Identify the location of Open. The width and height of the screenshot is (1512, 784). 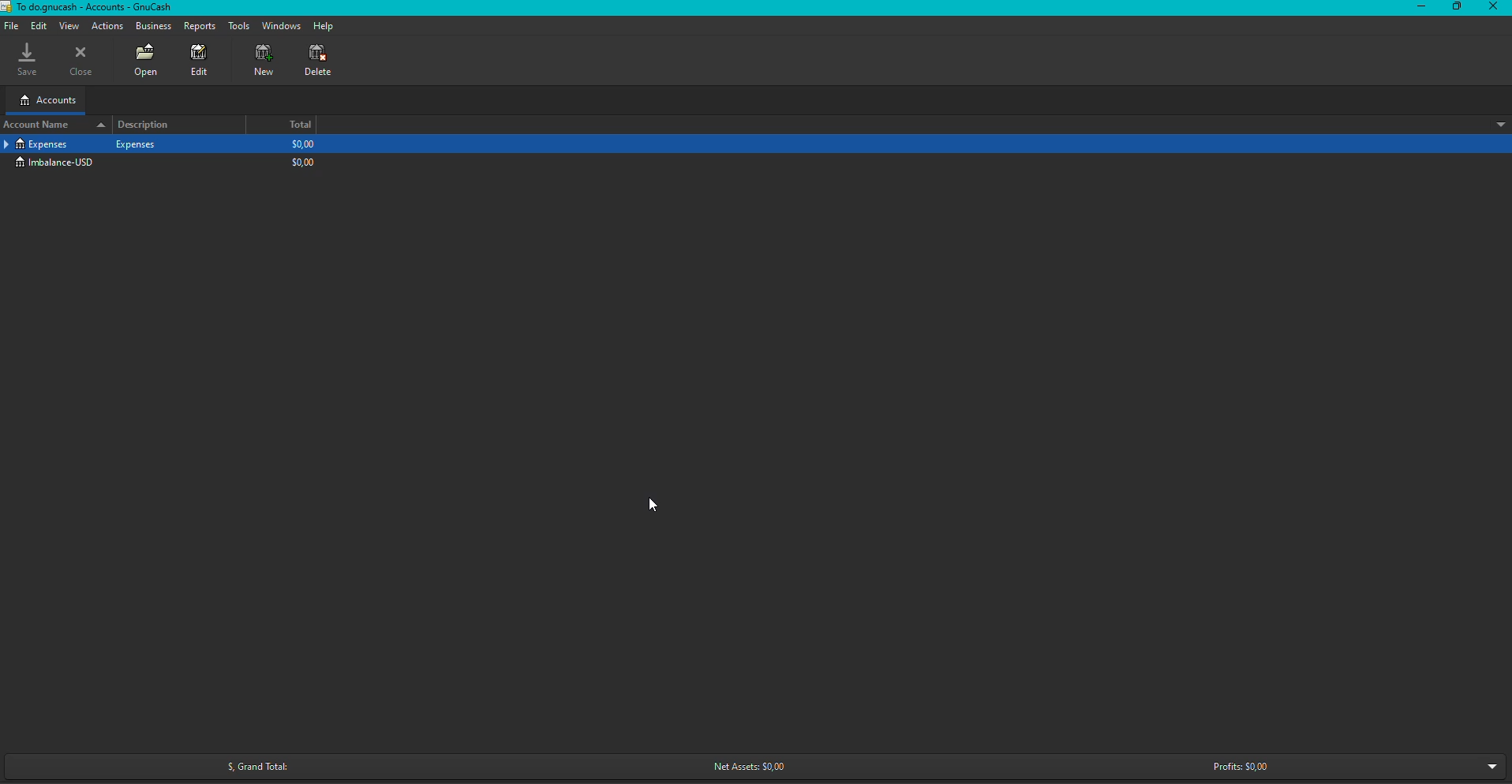
(146, 61).